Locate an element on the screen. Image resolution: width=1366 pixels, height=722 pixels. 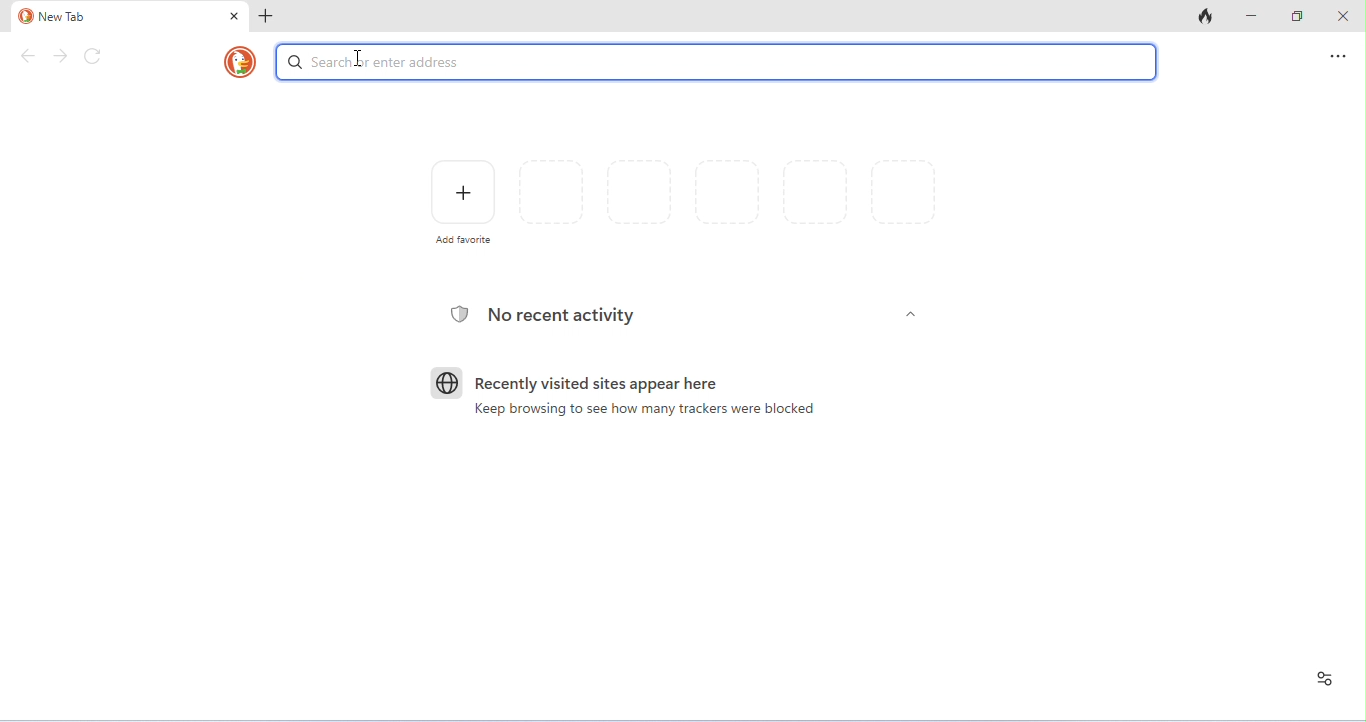
minimize is located at coordinates (1256, 14).